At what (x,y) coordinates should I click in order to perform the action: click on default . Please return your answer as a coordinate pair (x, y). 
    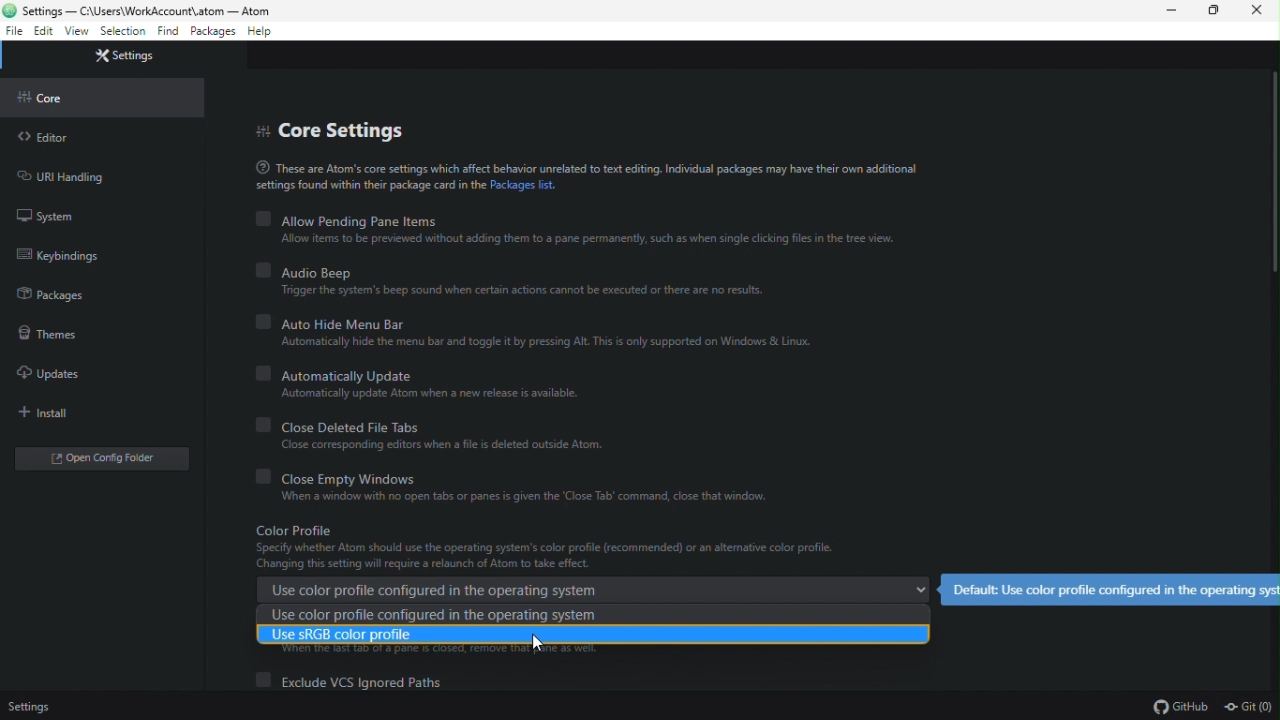
    Looking at the image, I should click on (1109, 589).